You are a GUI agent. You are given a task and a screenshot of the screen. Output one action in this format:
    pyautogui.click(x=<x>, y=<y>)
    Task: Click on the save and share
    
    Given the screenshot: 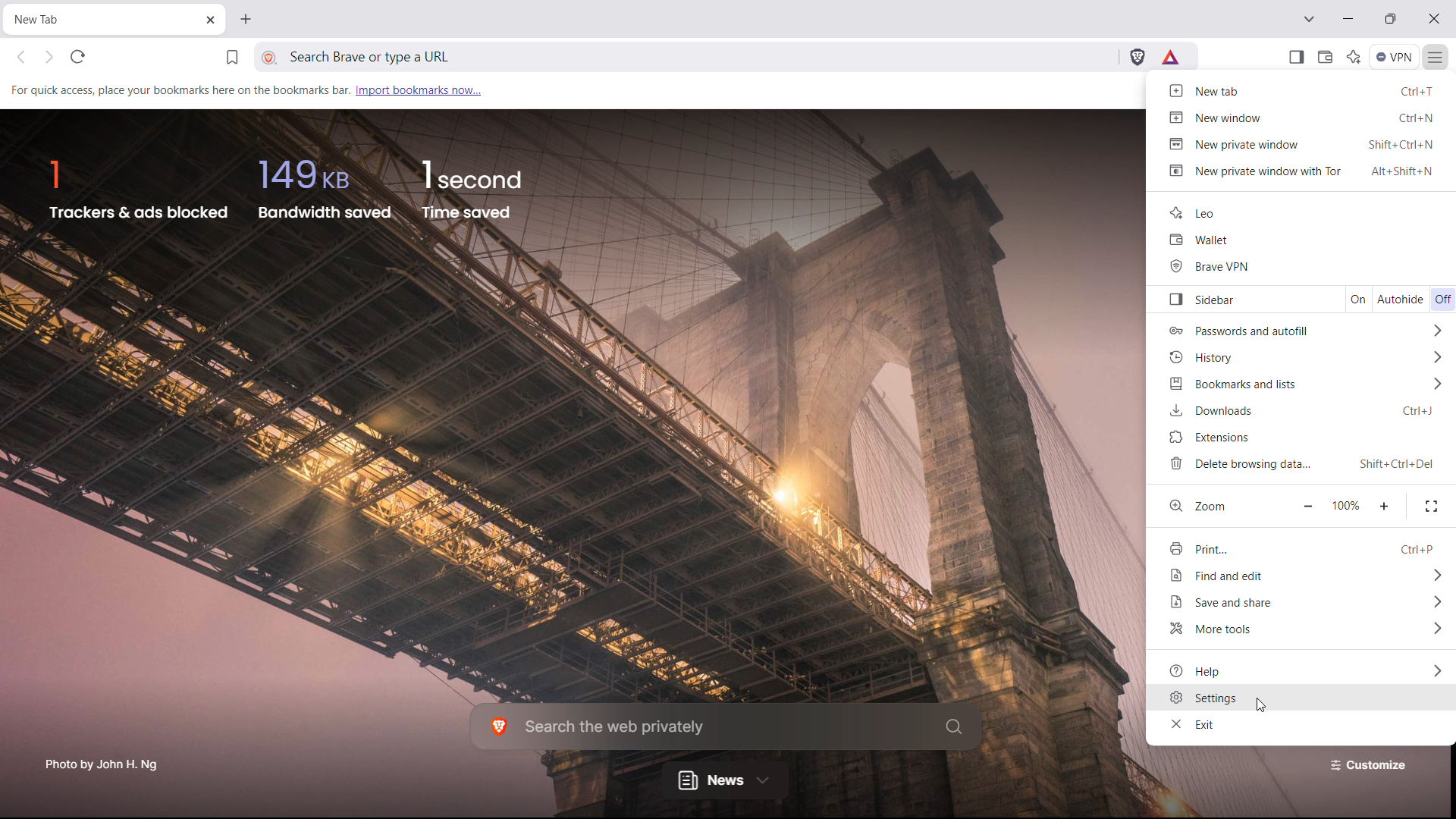 What is the action you would take?
    pyautogui.click(x=1303, y=604)
    